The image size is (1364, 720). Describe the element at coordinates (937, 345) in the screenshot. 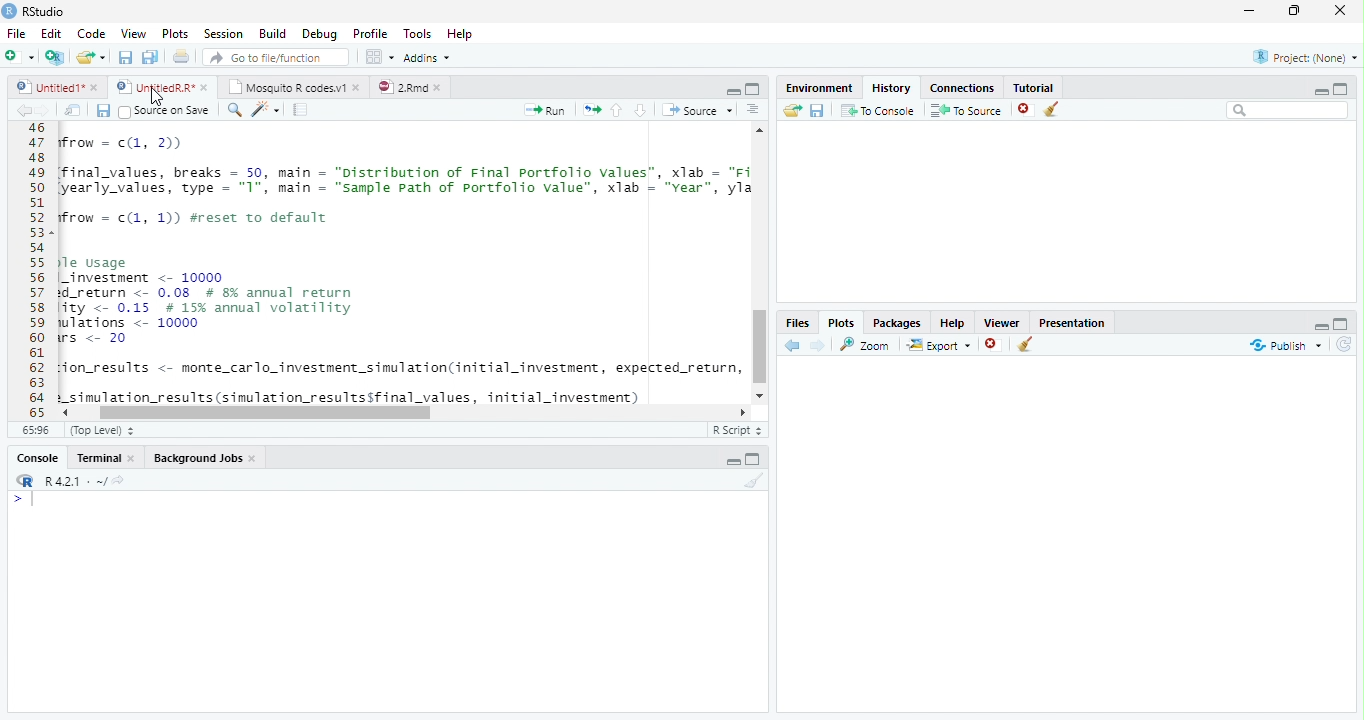

I see `Export` at that location.